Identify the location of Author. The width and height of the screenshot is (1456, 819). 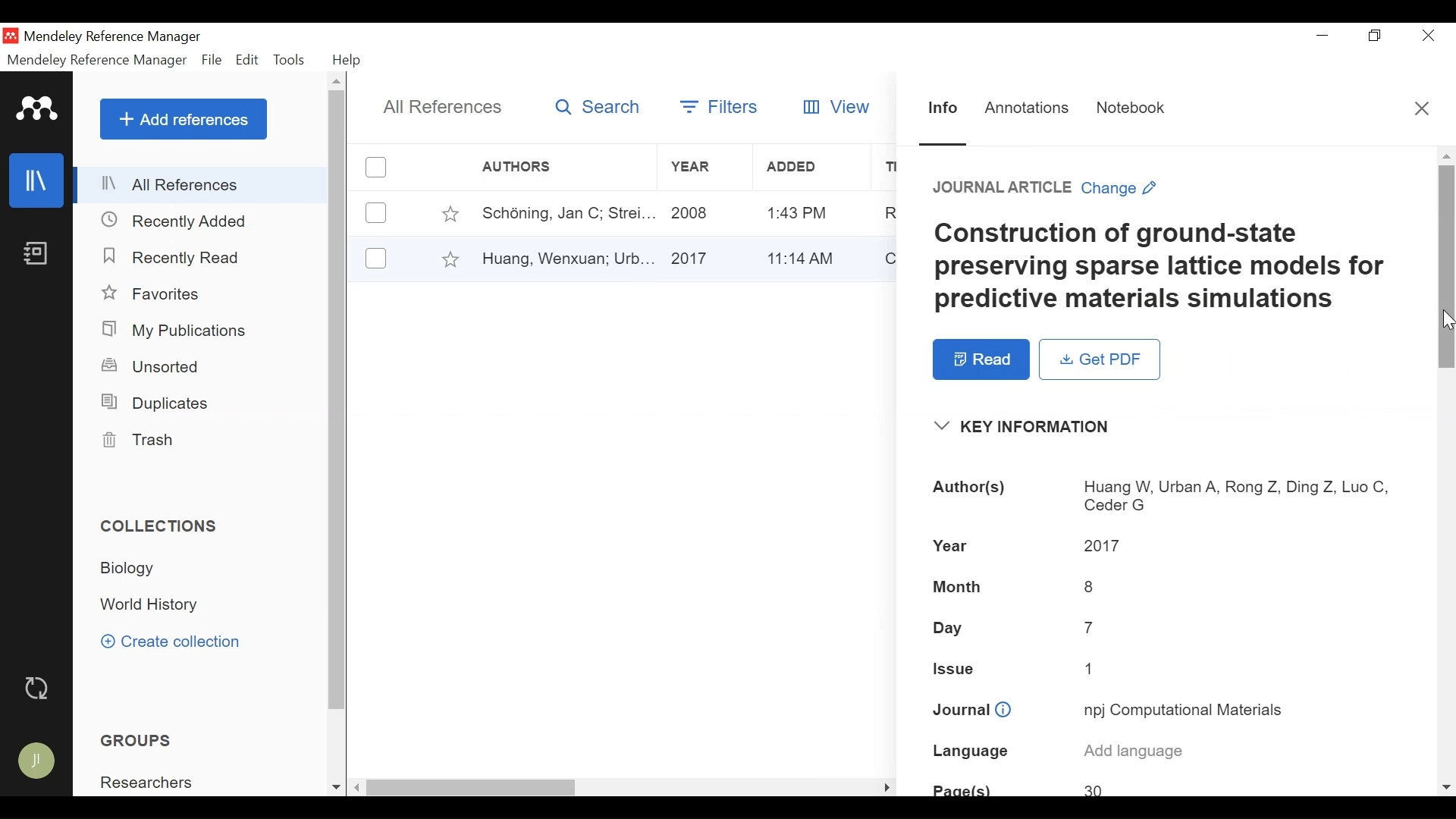
(542, 167).